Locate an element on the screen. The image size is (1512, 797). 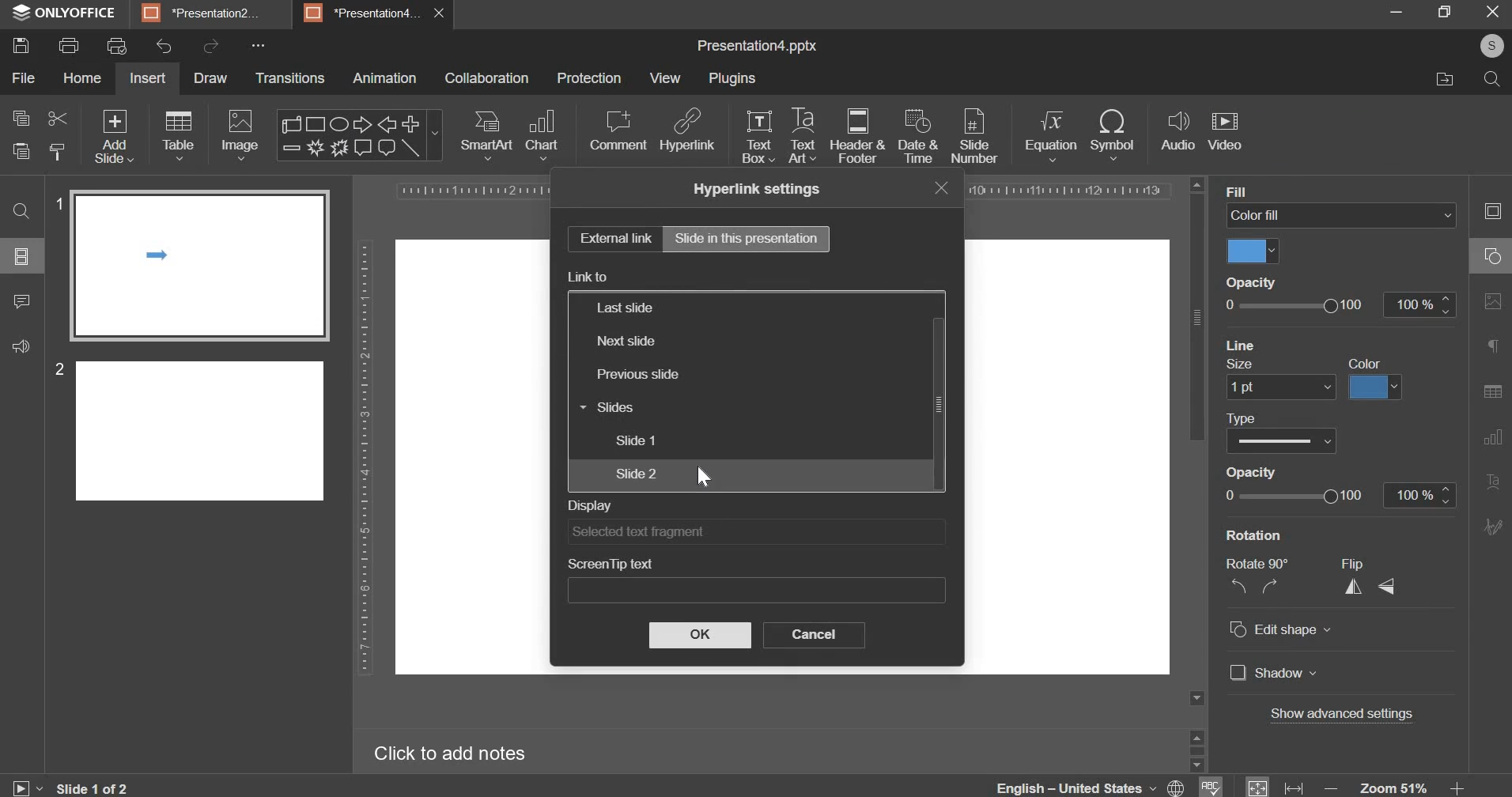
add slide is located at coordinates (115, 136).